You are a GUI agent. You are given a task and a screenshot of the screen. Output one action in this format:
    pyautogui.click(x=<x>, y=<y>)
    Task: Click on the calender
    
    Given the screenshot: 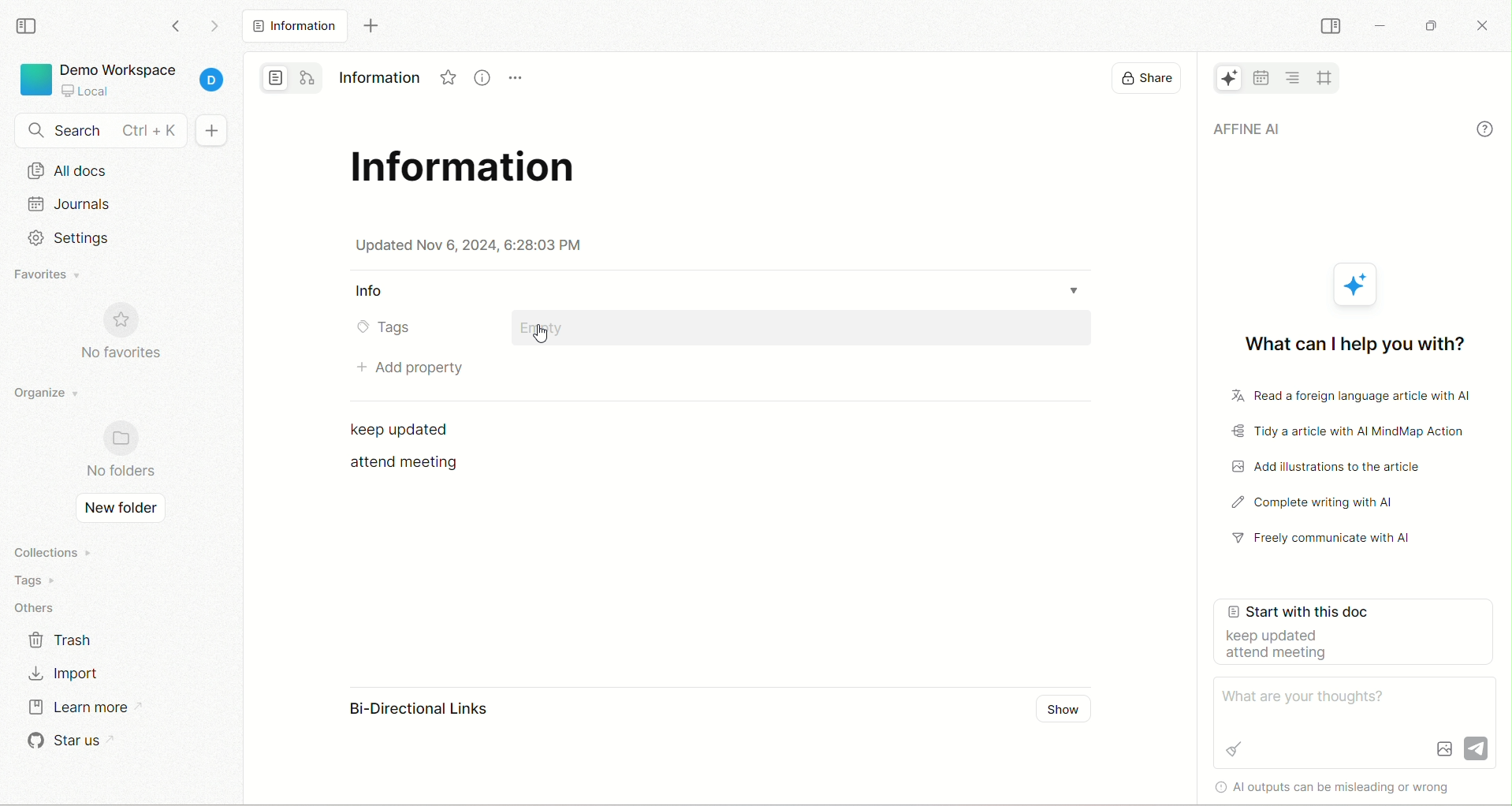 What is the action you would take?
    pyautogui.click(x=1261, y=77)
    